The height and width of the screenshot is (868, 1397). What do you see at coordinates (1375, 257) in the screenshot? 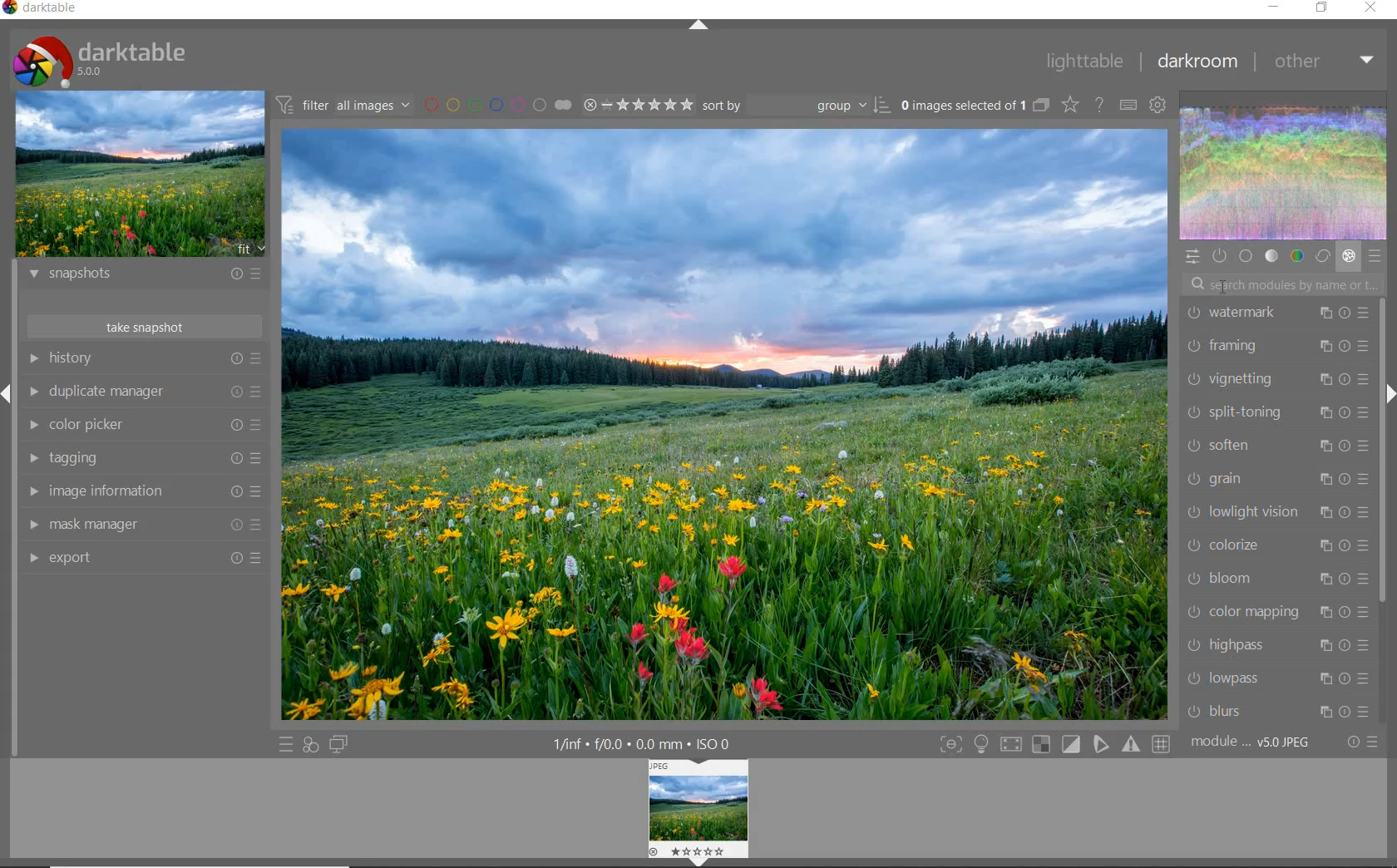
I see `presets` at bounding box center [1375, 257].